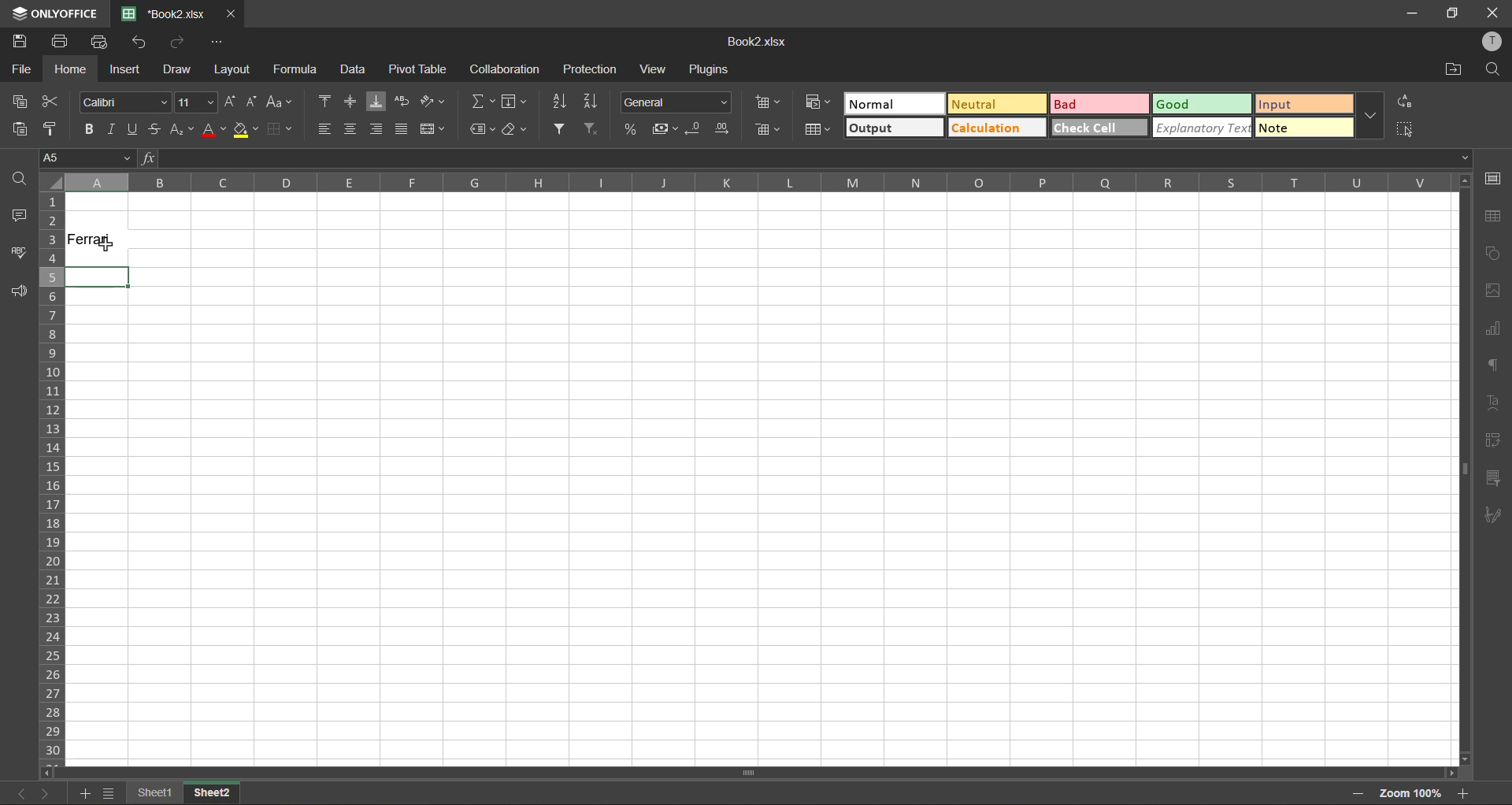 Image resolution: width=1512 pixels, height=805 pixels. Describe the element at coordinates (1373, 118) in the screenshot. I see `more options` at that location.